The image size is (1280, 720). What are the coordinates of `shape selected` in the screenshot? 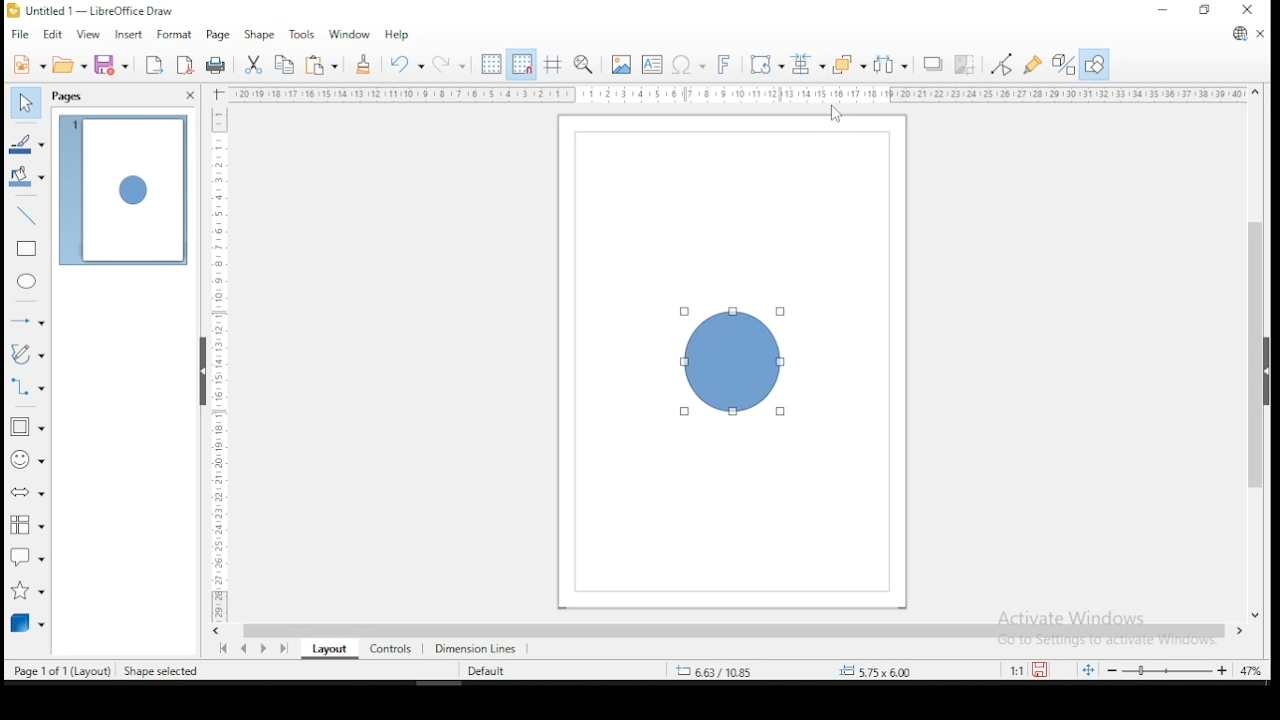 It's located at (163, 672).